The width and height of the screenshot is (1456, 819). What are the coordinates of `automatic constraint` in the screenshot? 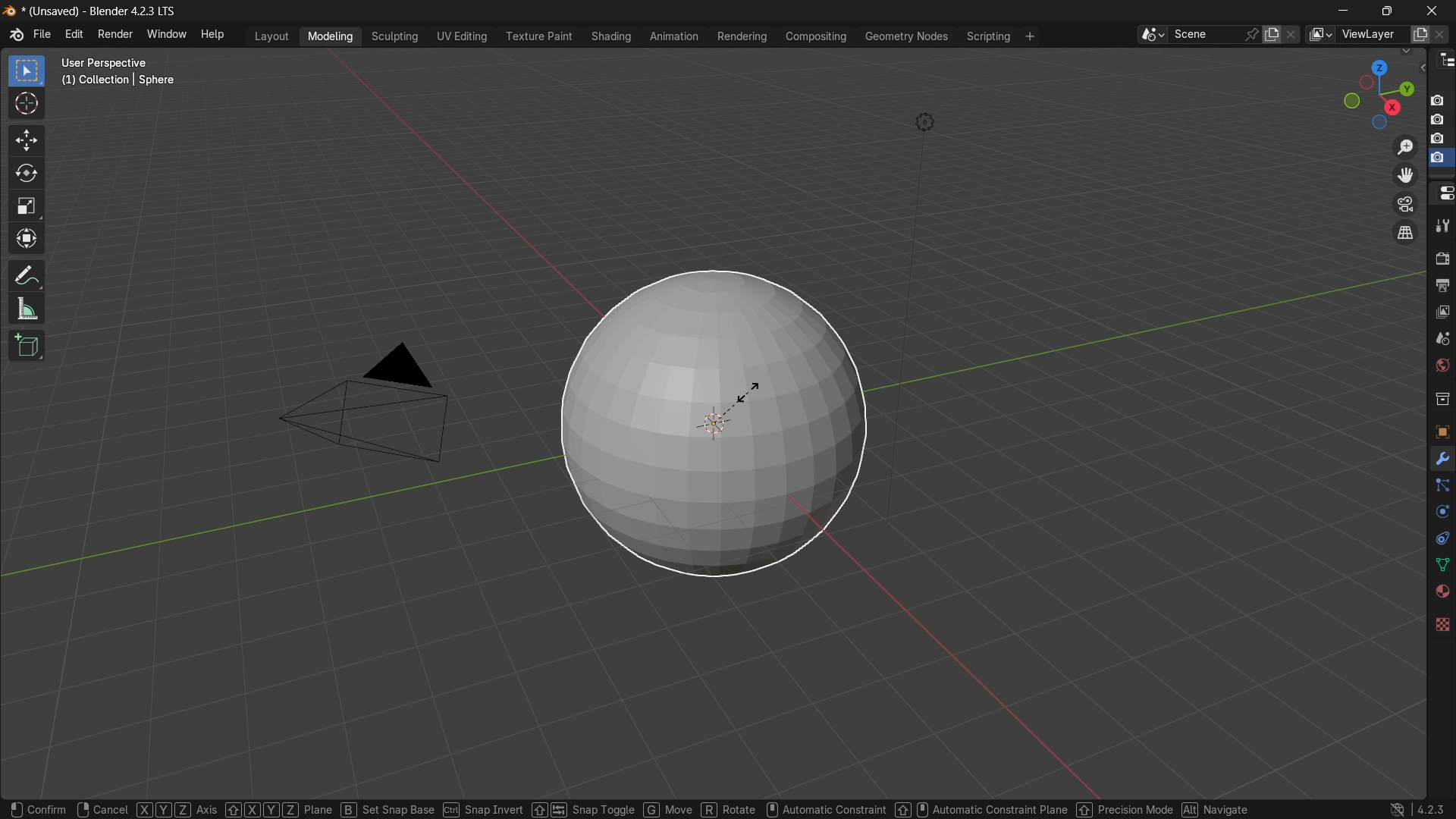 It's located at (824, 802).